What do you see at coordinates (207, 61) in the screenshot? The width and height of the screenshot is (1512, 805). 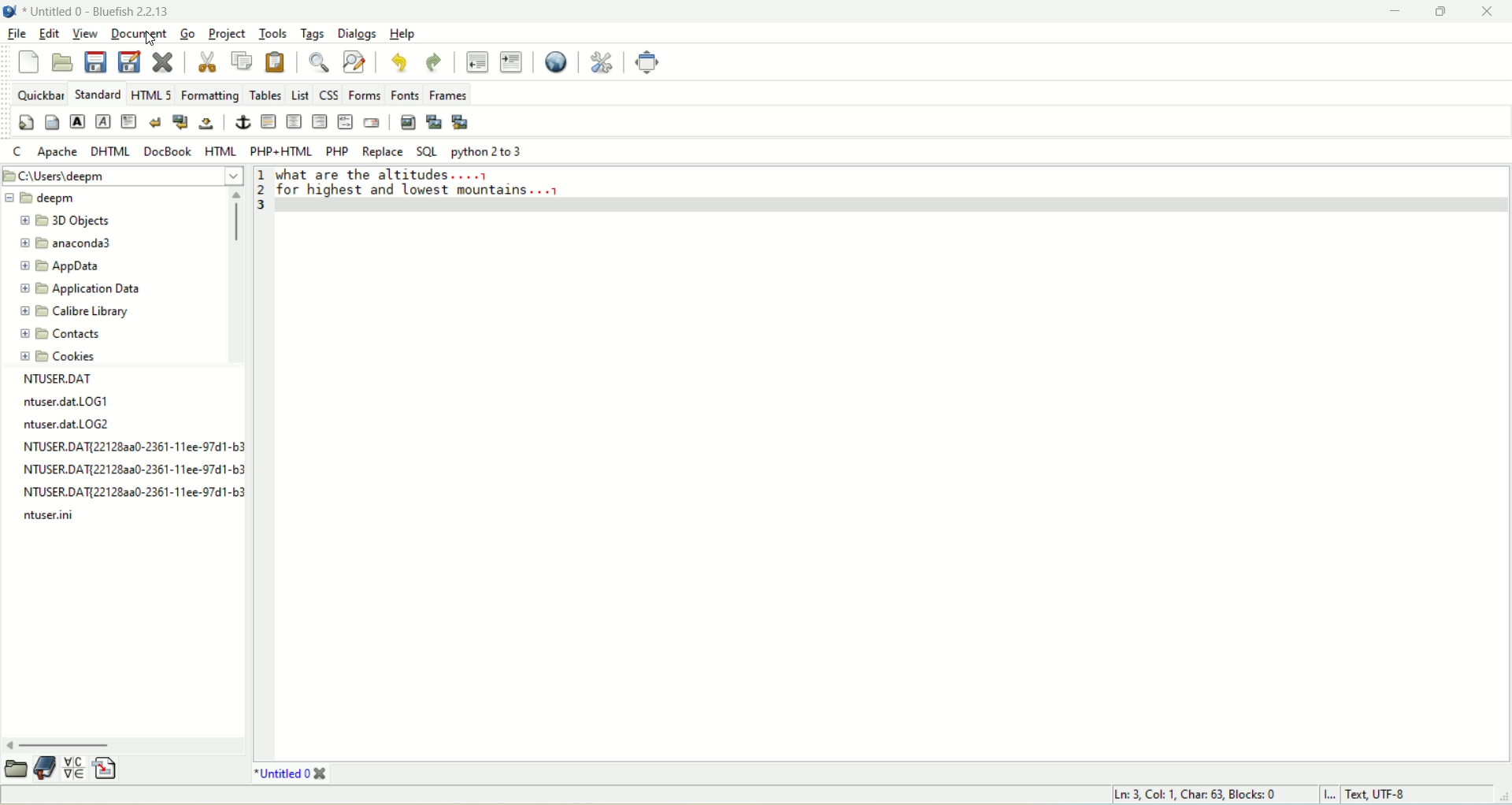 I see `cut` at bounding box center [207, 61].